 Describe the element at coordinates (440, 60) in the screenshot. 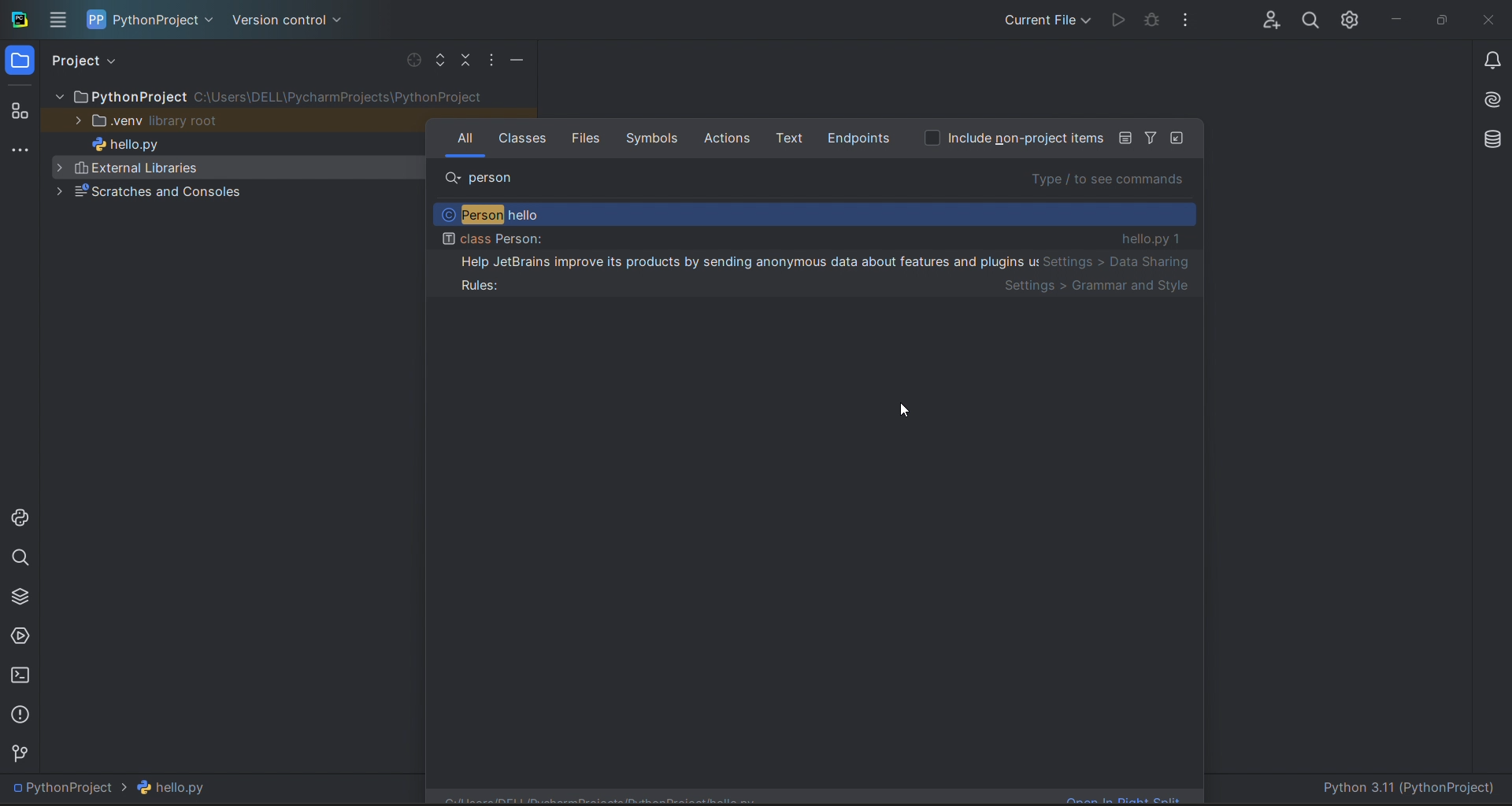

I see `expand file` at that location.